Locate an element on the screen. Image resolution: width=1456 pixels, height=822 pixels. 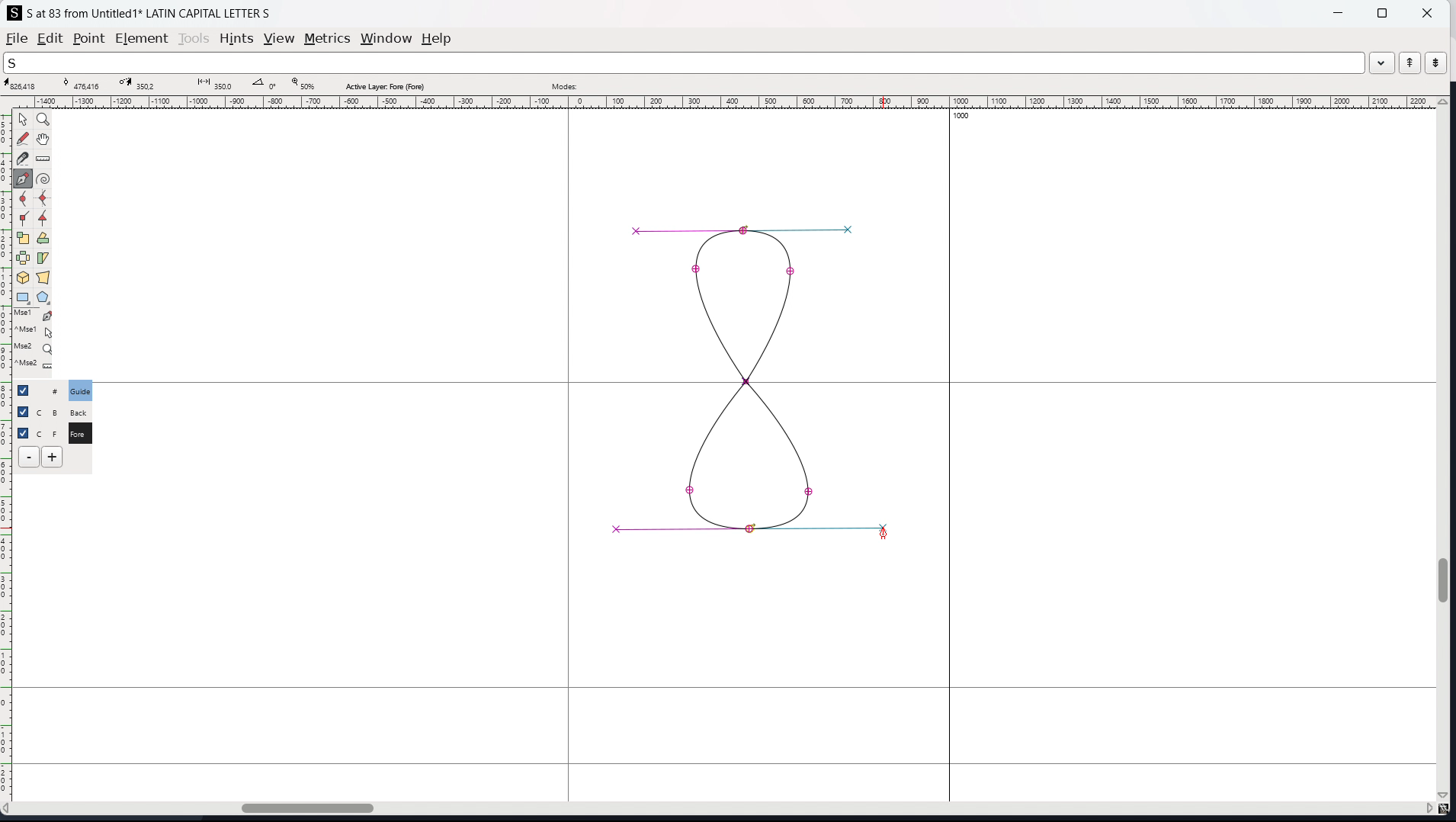
distance between points is located at coordinates (213, 83).